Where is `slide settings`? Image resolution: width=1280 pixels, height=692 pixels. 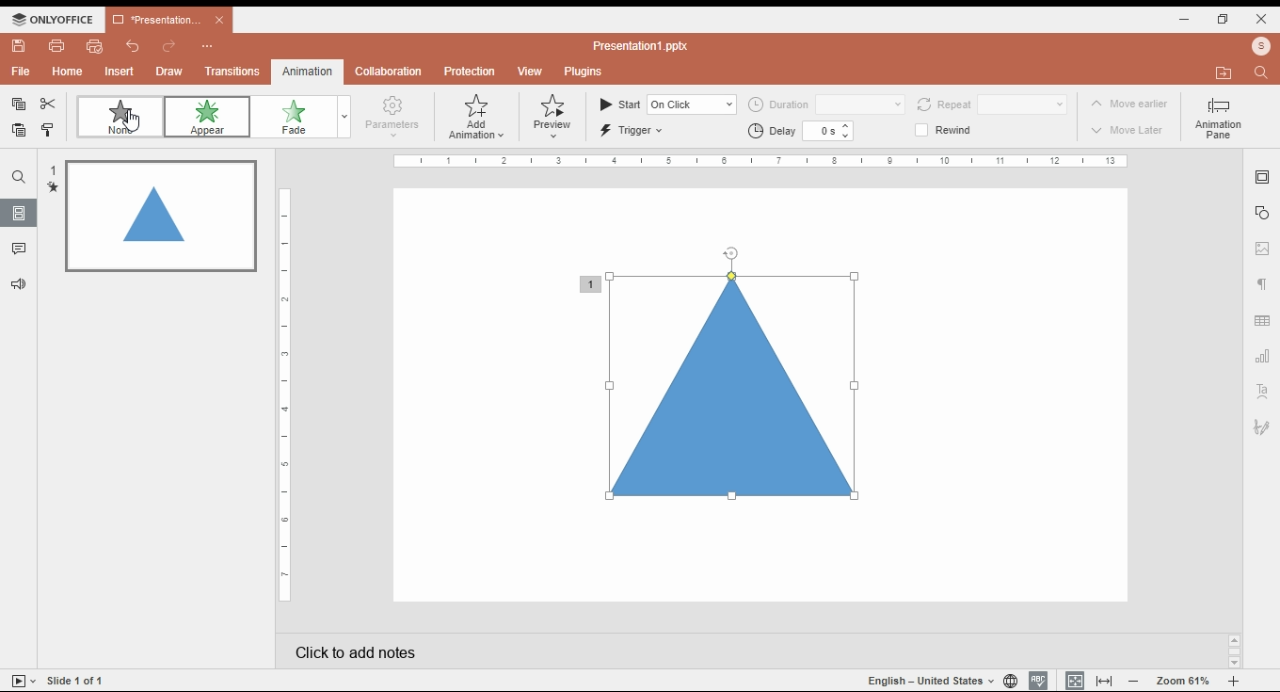
slide settings is located at coordinates (1263, 178).